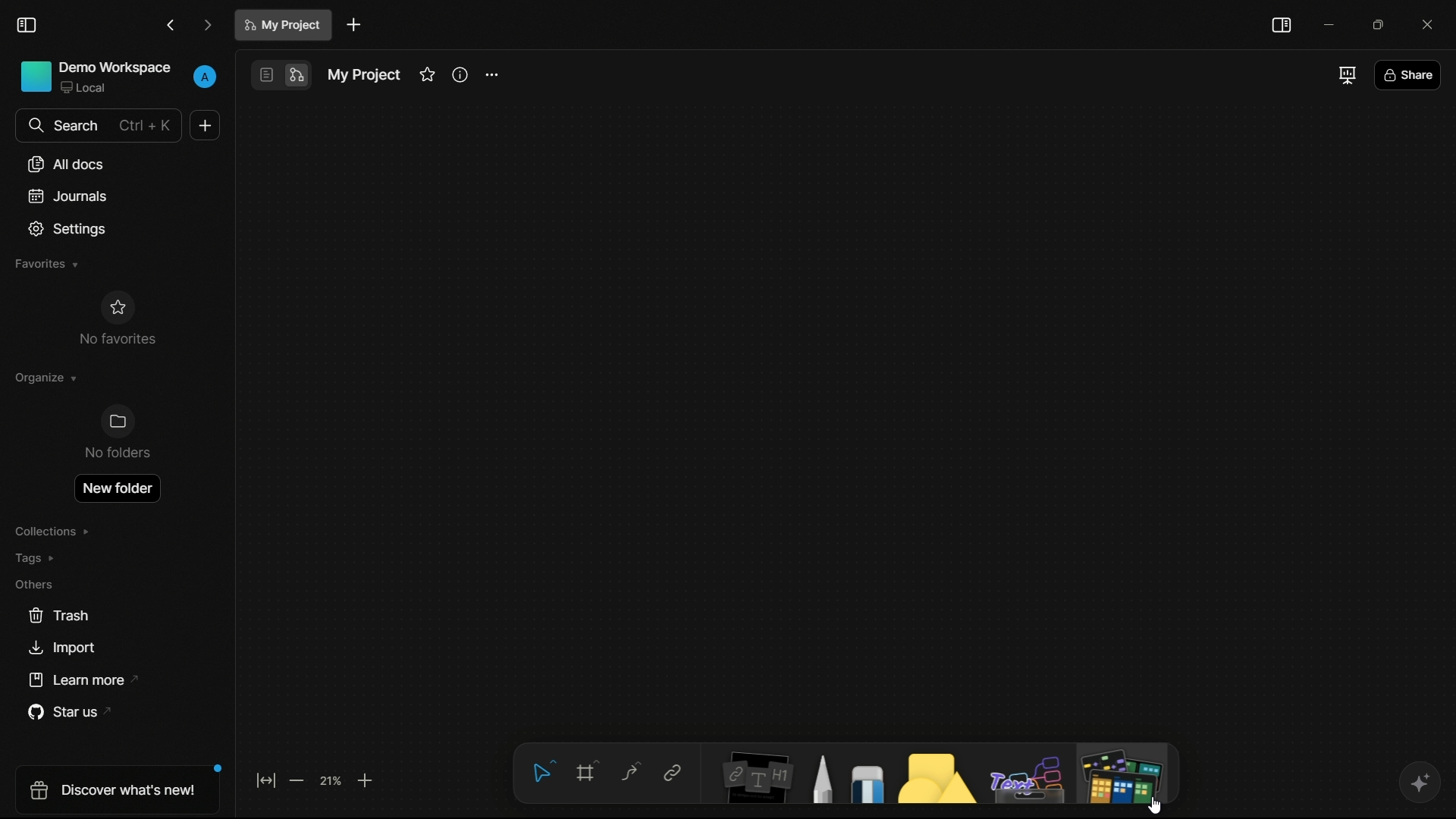  I want to click on document name, so click(364, 77).